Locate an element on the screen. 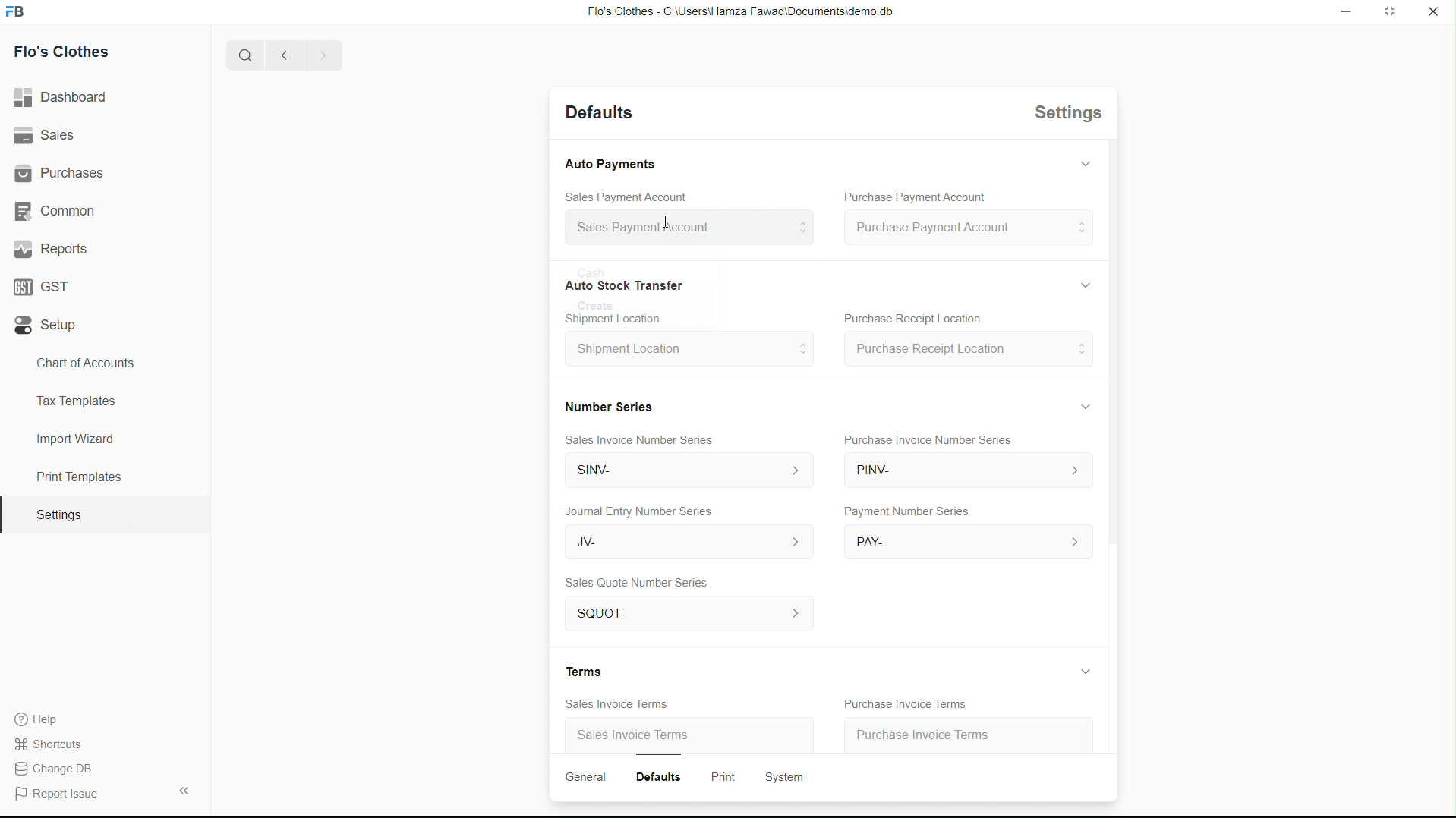  Terms is located at coordinates (577, 672).